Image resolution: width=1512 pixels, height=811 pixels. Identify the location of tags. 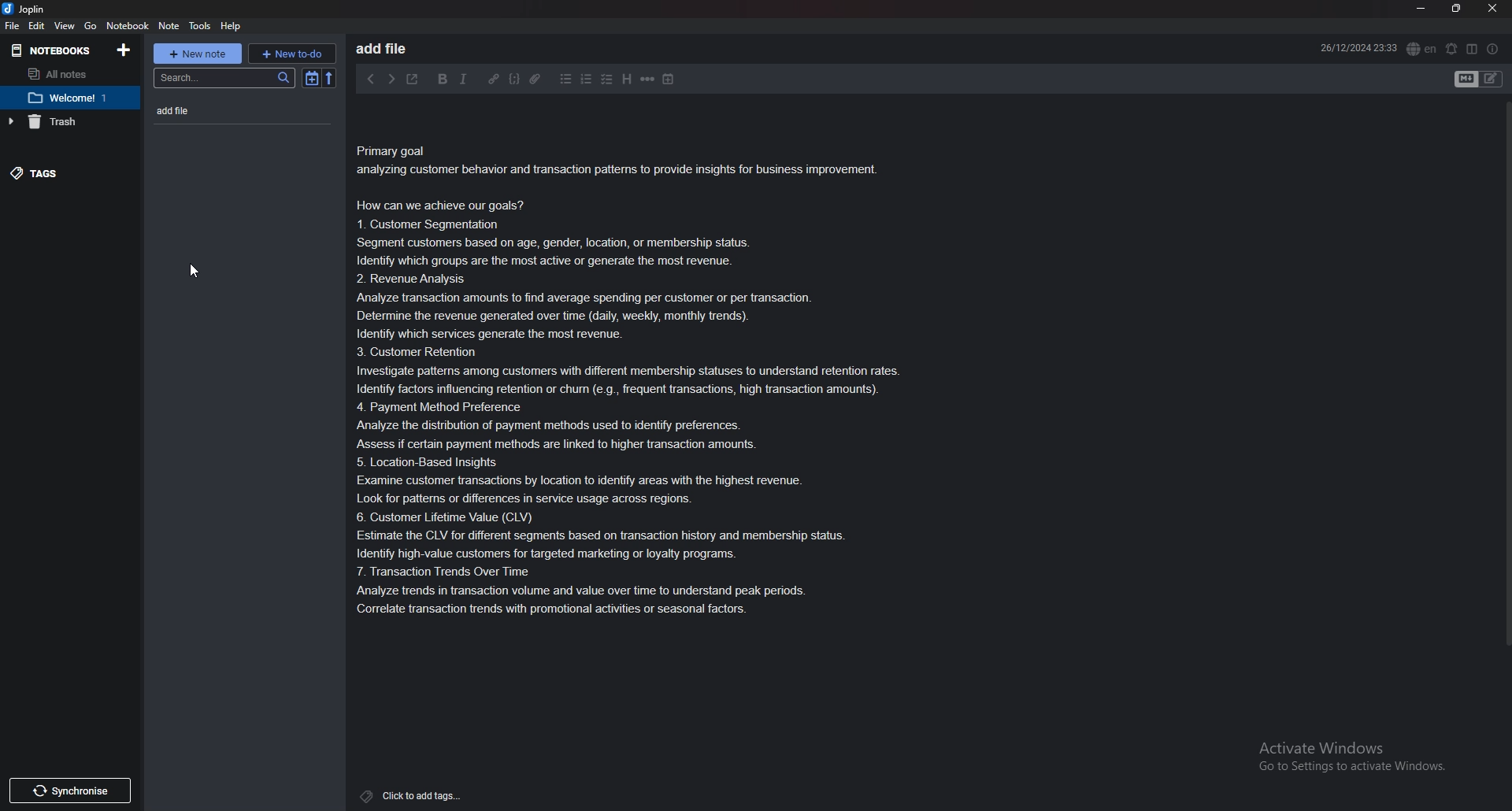
(411, 795).